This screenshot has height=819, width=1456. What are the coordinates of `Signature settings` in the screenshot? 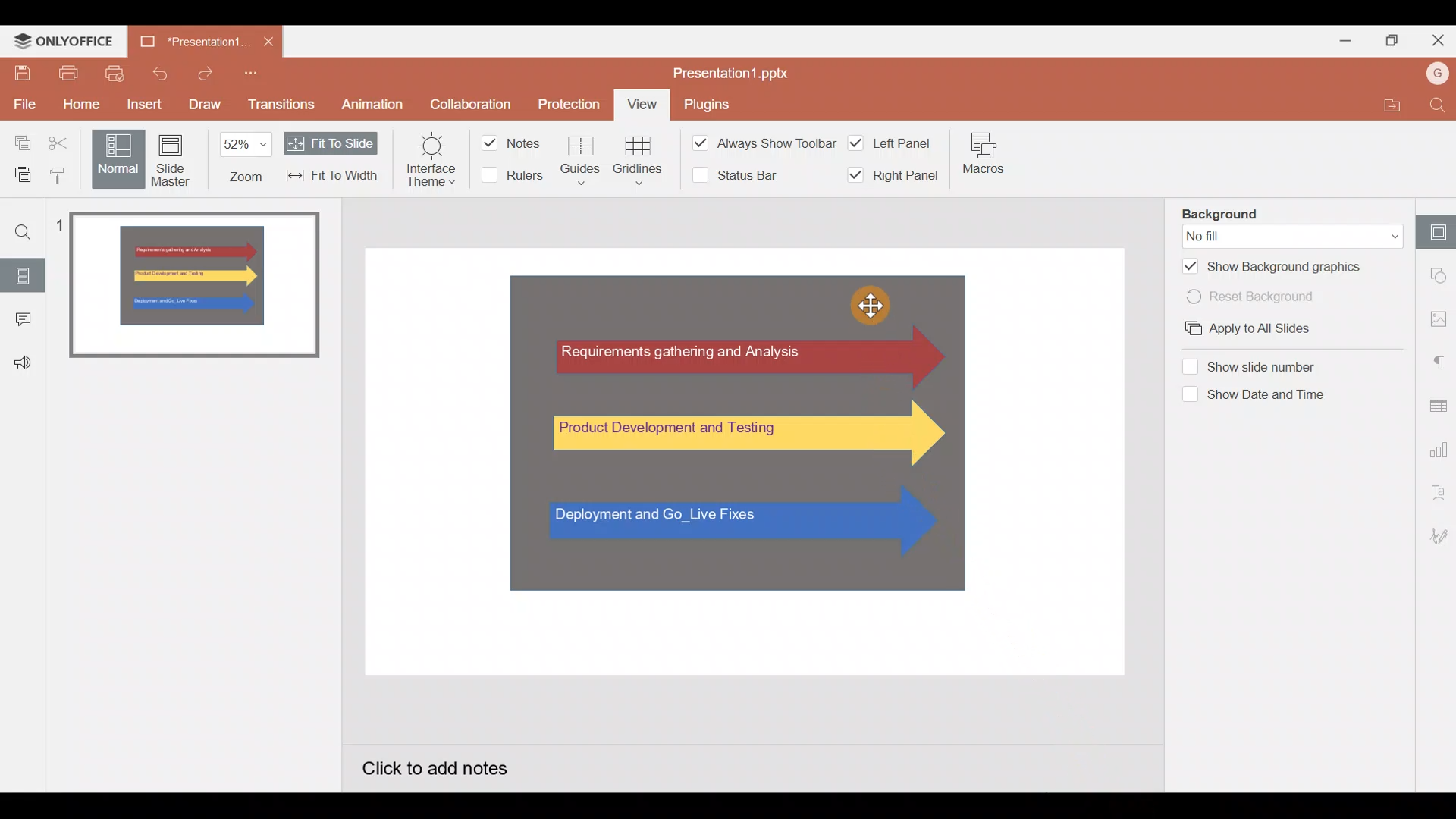 It's located at (1437, 535).